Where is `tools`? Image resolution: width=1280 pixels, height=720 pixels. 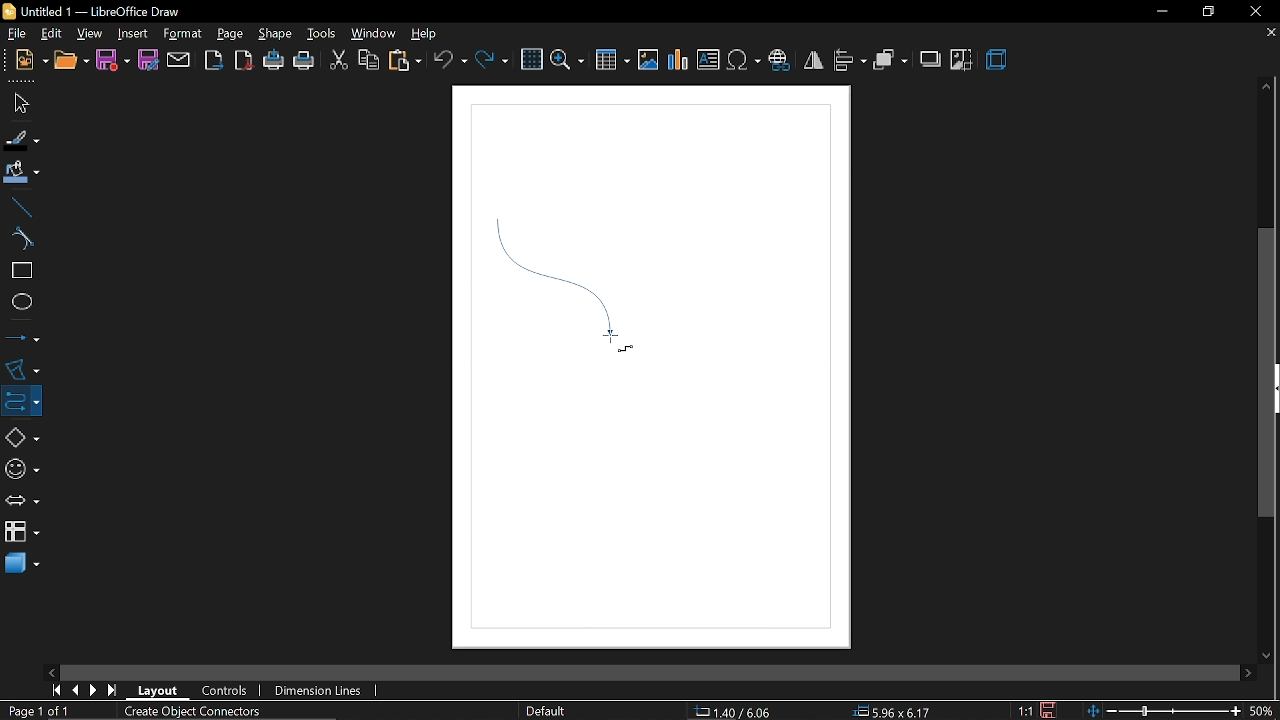
tools is located at coordinates (319, 33).